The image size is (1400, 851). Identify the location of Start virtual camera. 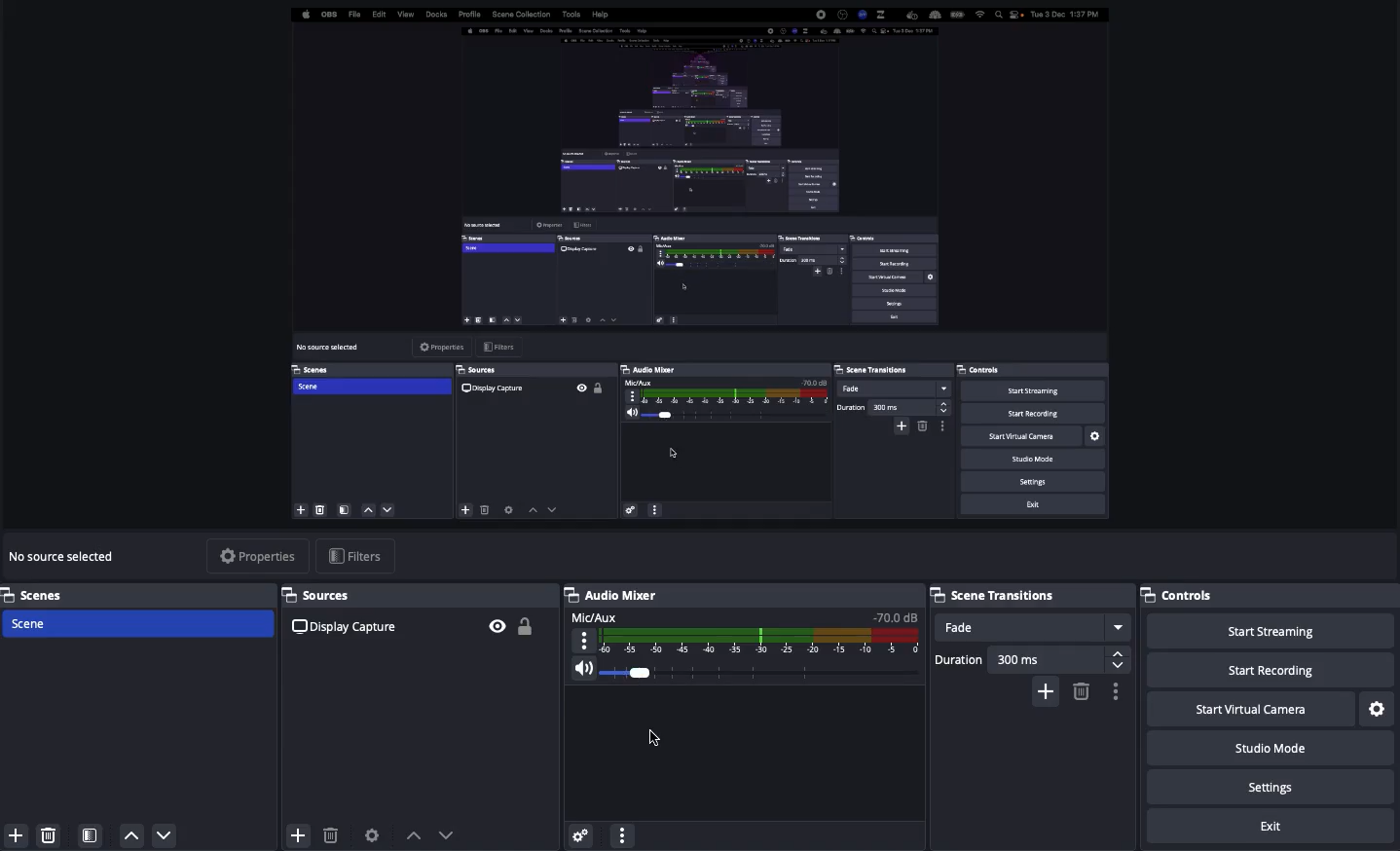
(1248, 710).